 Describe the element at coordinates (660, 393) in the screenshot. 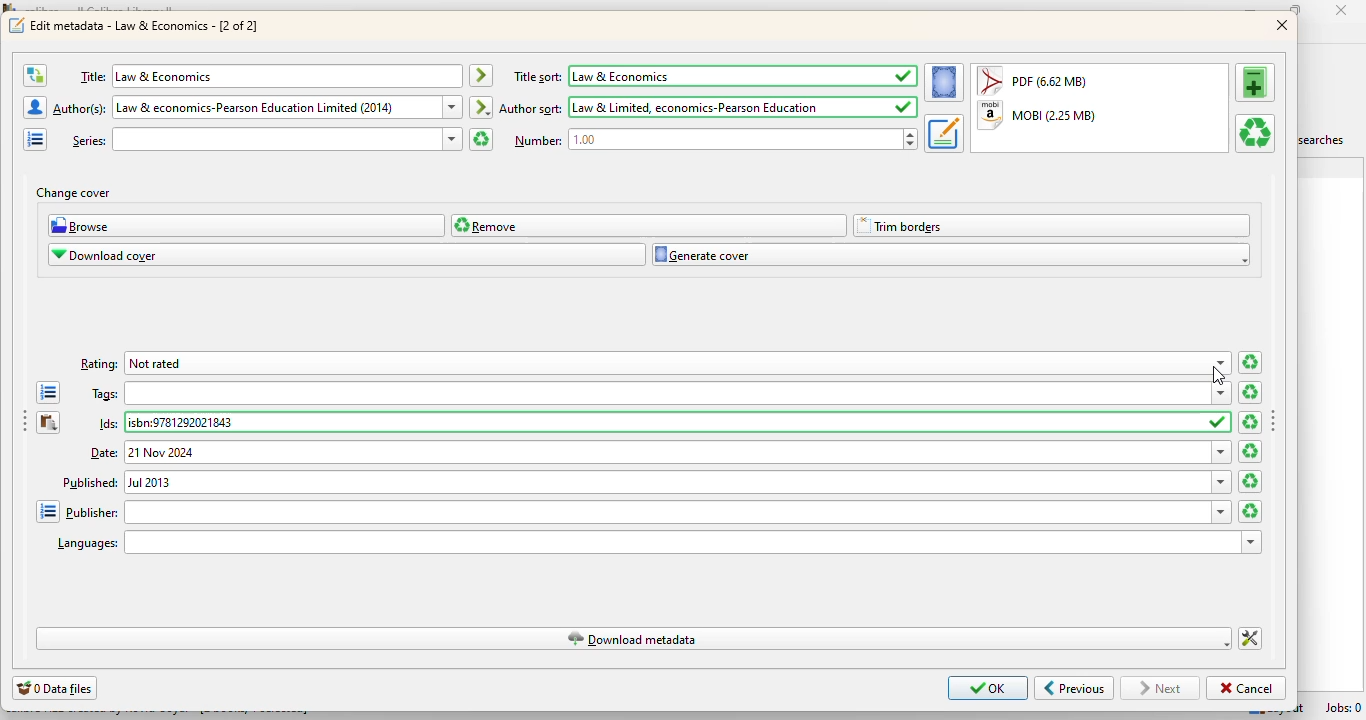

I see `tags: ` at that location.